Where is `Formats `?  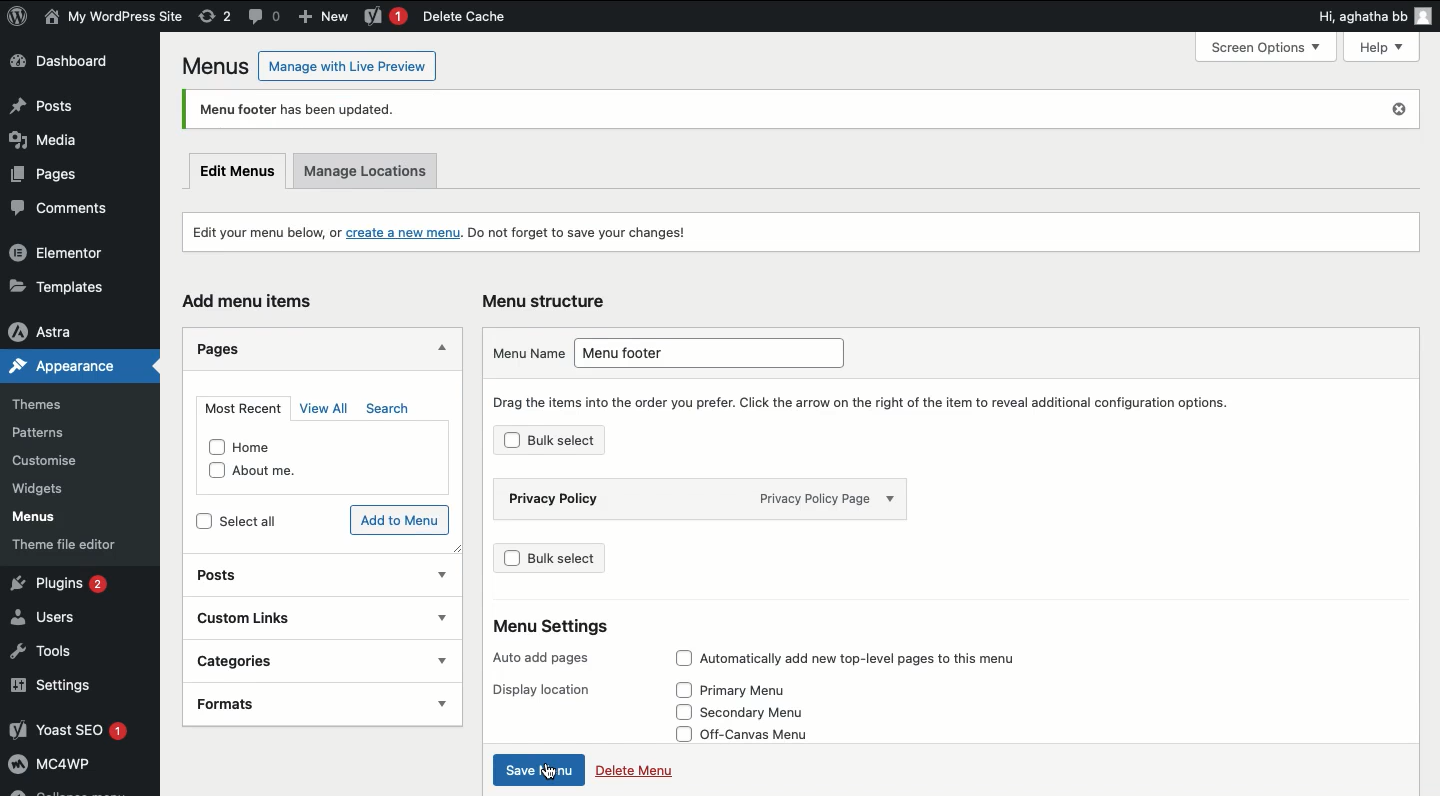 Formats  is located at coordinates (296, 707).